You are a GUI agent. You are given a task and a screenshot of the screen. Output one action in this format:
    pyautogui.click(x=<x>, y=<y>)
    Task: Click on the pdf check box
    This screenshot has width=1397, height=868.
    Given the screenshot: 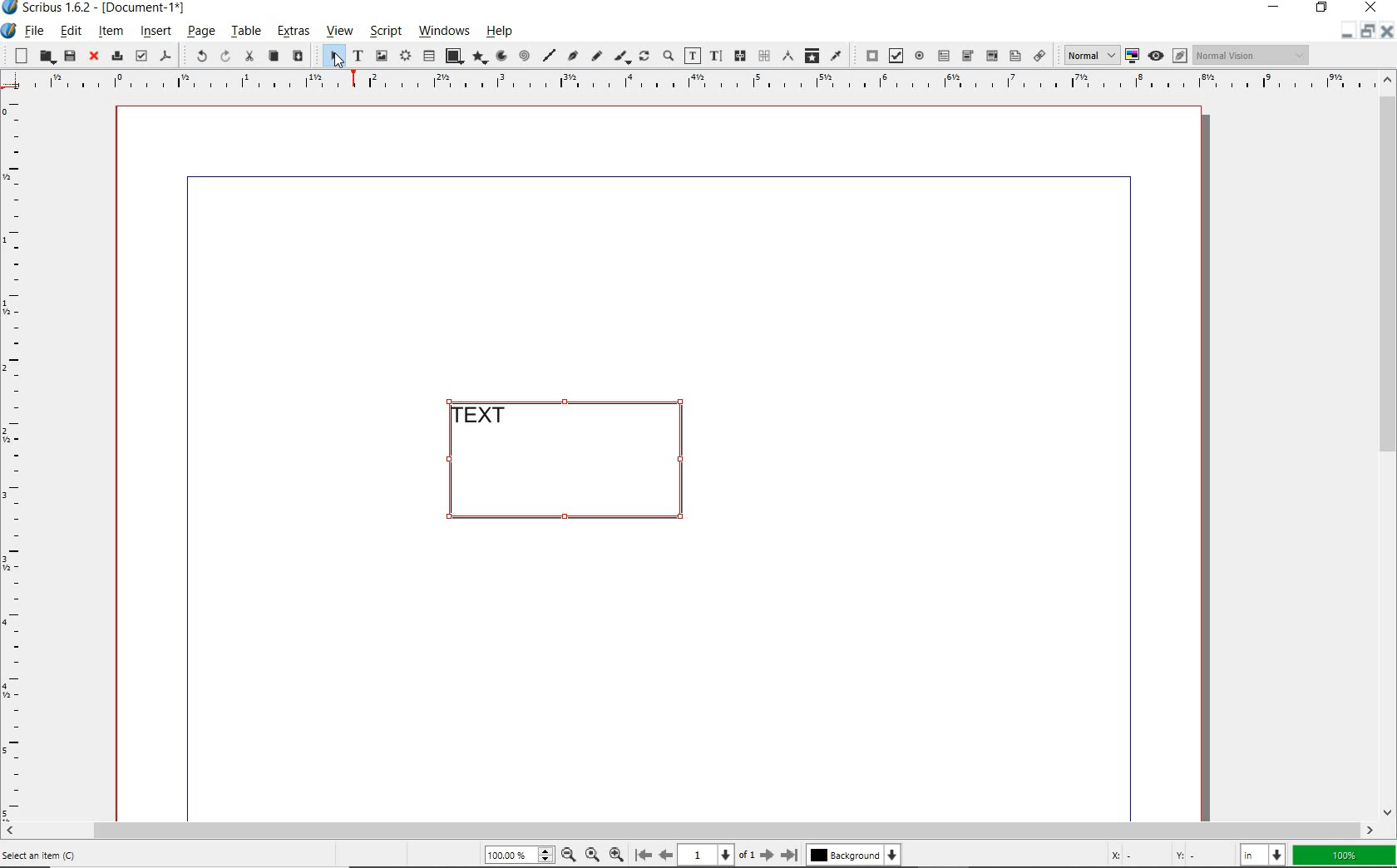 What is the action you would take?
    pyautogui.click(x=894, y=55)
    